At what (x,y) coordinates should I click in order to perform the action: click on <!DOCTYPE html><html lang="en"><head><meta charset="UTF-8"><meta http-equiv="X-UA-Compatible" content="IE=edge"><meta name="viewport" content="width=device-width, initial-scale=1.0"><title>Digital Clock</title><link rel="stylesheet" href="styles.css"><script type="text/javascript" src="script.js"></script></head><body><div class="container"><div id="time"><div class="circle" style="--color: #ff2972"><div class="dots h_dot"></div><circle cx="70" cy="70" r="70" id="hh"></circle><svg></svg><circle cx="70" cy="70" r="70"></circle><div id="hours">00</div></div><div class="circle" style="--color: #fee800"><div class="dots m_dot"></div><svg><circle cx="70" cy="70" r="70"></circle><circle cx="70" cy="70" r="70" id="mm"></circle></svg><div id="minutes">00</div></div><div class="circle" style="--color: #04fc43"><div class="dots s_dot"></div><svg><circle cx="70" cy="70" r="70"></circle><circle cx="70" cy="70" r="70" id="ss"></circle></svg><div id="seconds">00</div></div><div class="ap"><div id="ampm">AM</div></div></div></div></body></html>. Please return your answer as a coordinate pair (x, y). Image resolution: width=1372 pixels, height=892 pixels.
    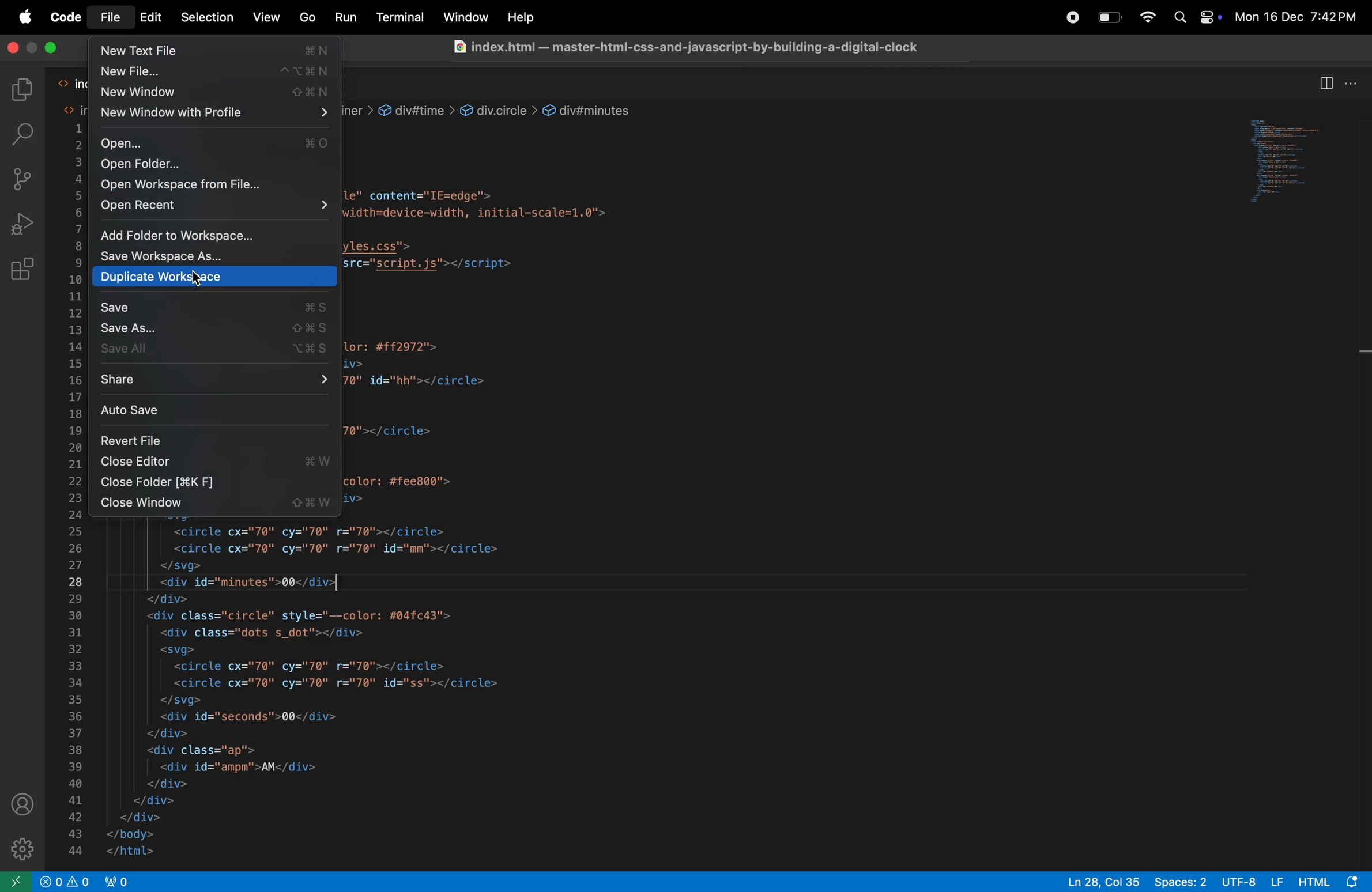
    Looking at the image, I should click on (409, 690).